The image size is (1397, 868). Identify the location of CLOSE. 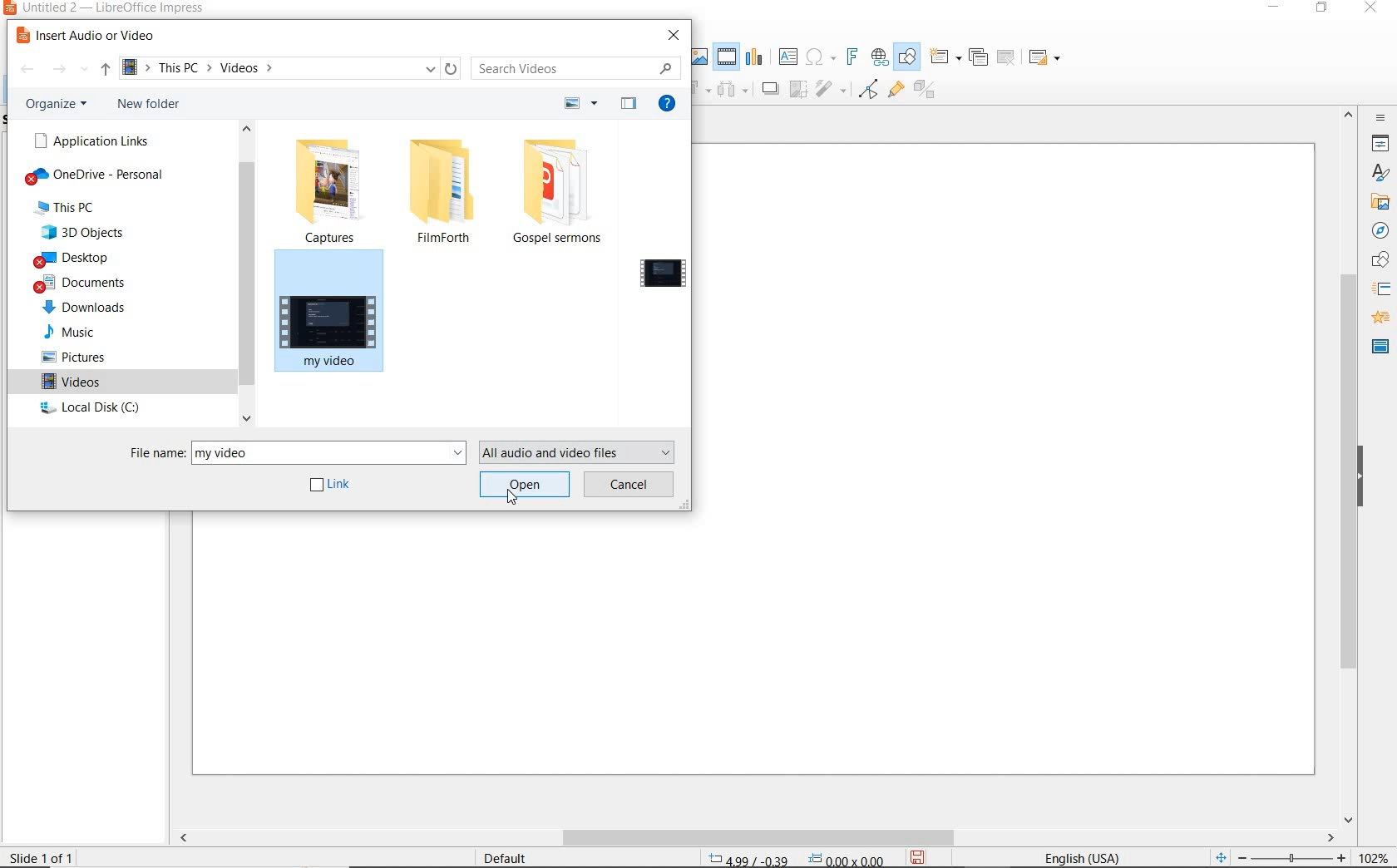
(1374, 7).